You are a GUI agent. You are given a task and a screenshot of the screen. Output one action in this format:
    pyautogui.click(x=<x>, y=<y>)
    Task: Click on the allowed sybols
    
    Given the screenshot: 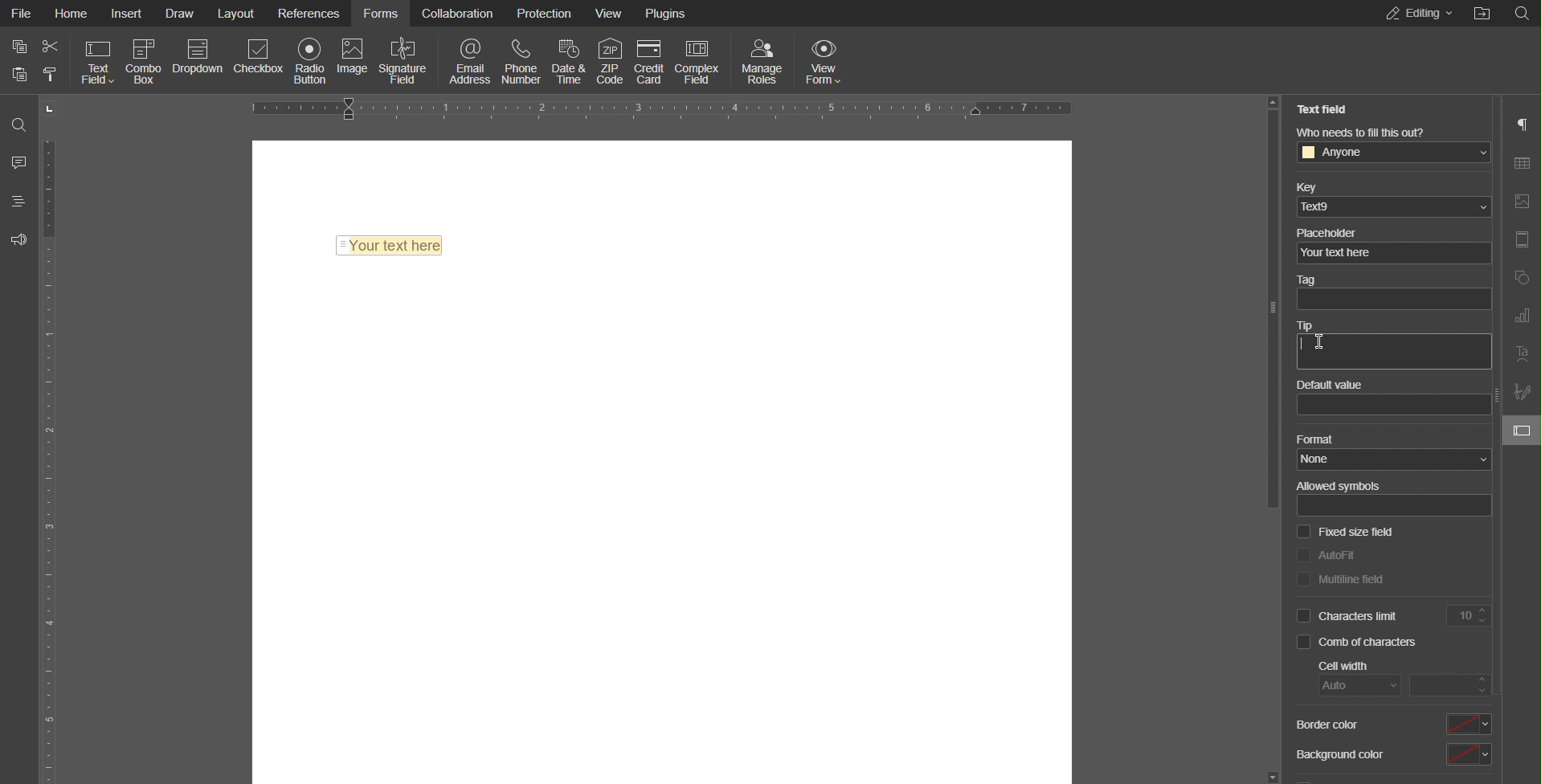 What is the action you would take?
    pyautogui.click(x=1396, y=505)
    